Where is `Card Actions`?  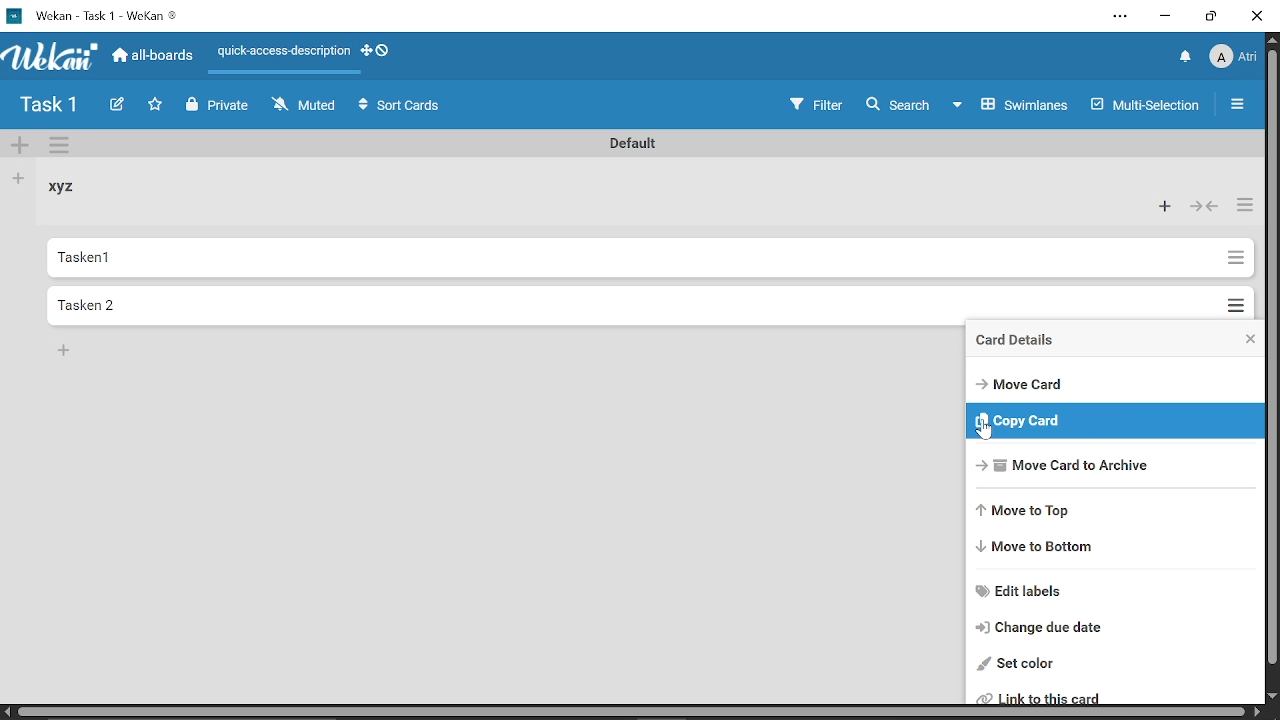 Card Actions is located at coordinates (1243, 339).